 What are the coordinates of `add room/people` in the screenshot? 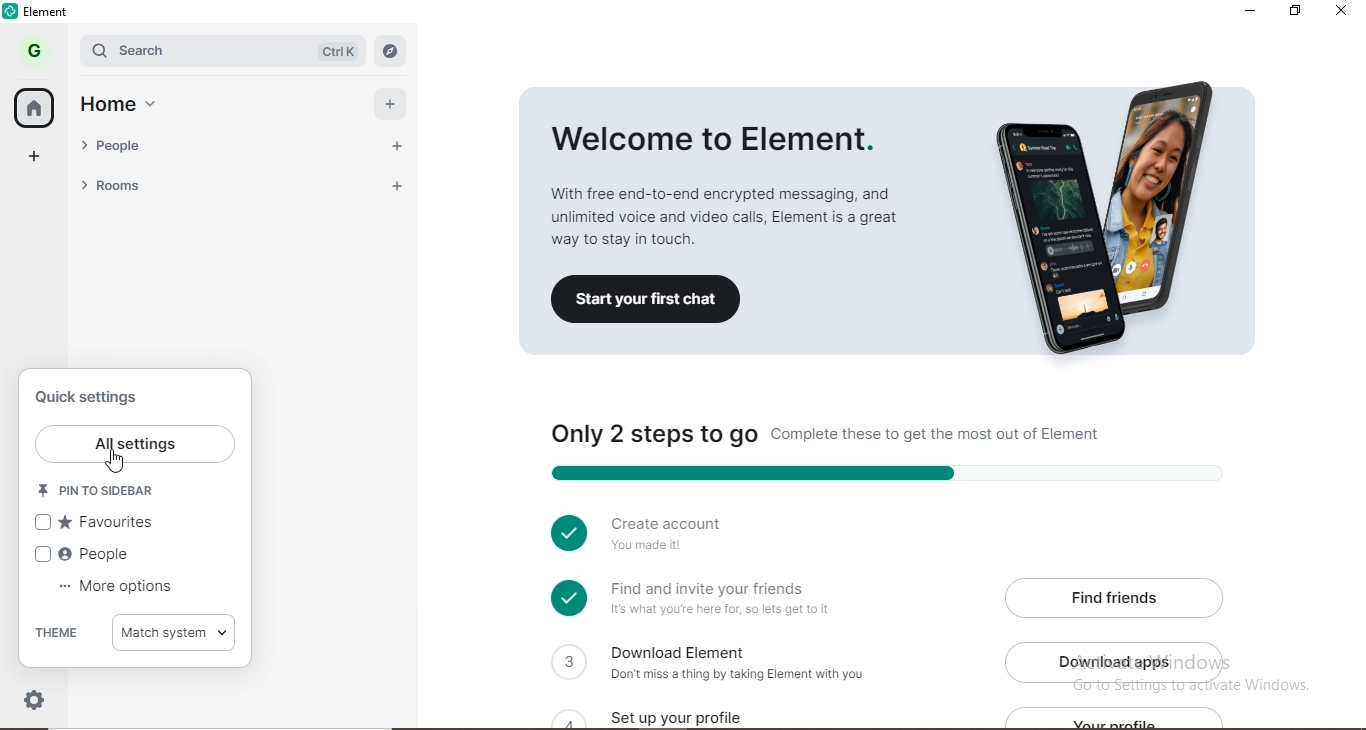 It's located at (393, 101).